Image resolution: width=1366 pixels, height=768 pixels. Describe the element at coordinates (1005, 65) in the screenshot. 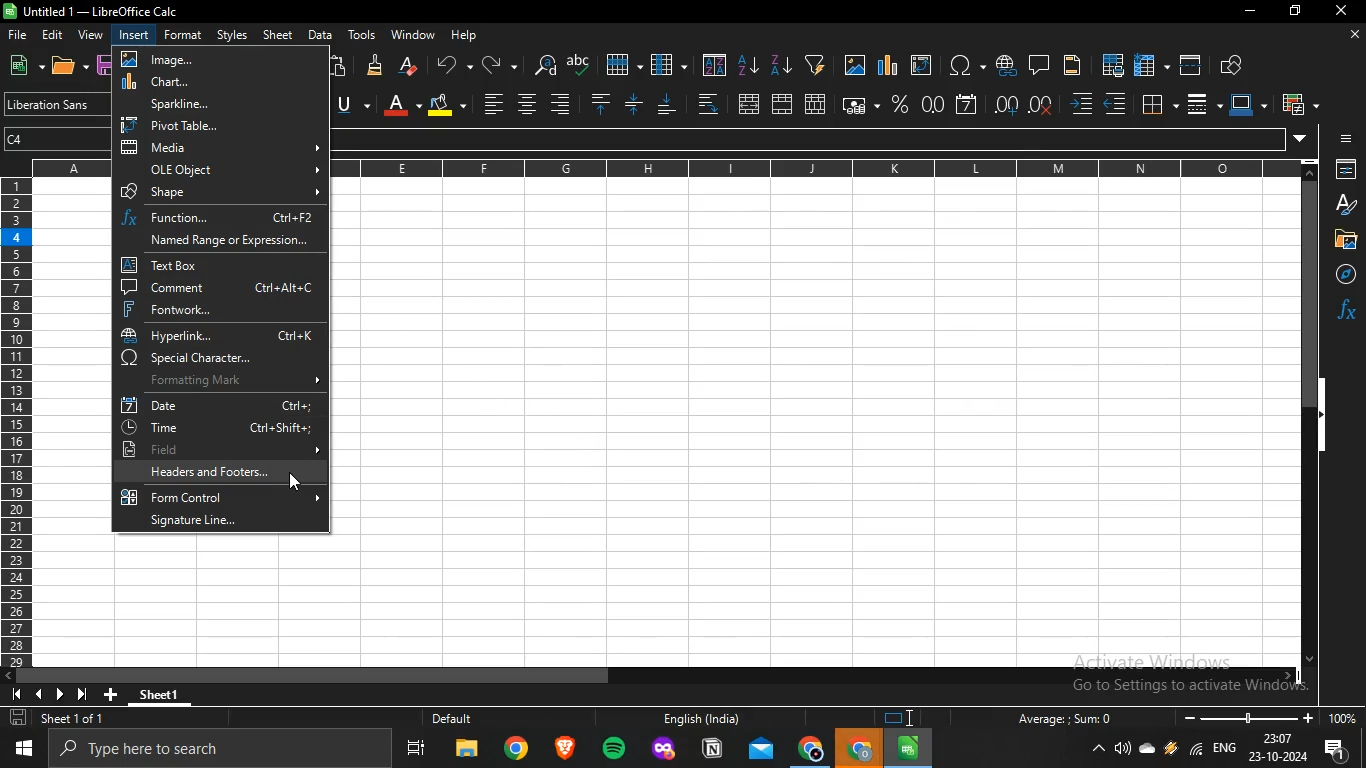

I see `insert hyperlink` at that location.